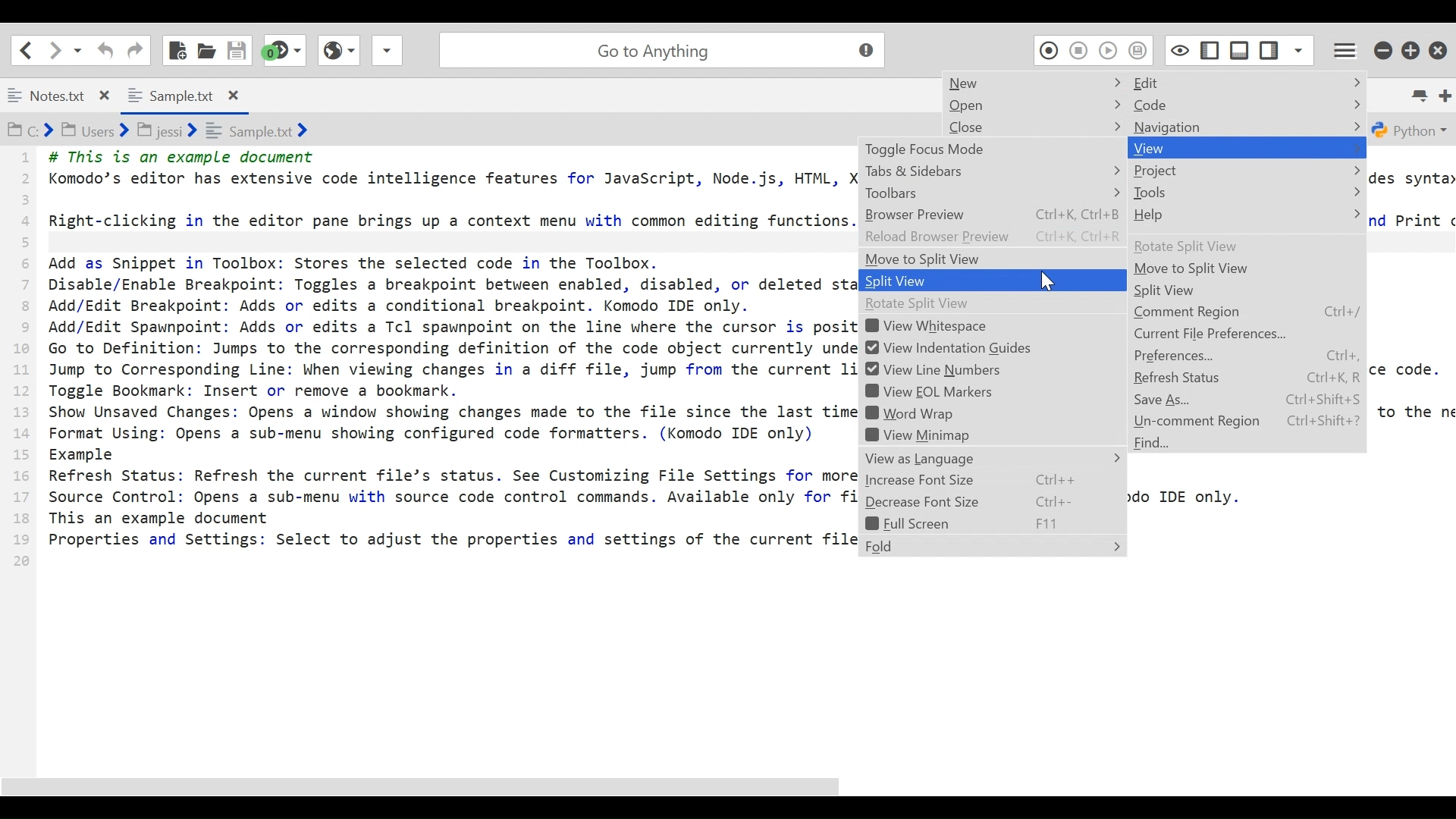 This screenshot has width=1456, height=819. I want to click on Split View, so click(1245, 291).